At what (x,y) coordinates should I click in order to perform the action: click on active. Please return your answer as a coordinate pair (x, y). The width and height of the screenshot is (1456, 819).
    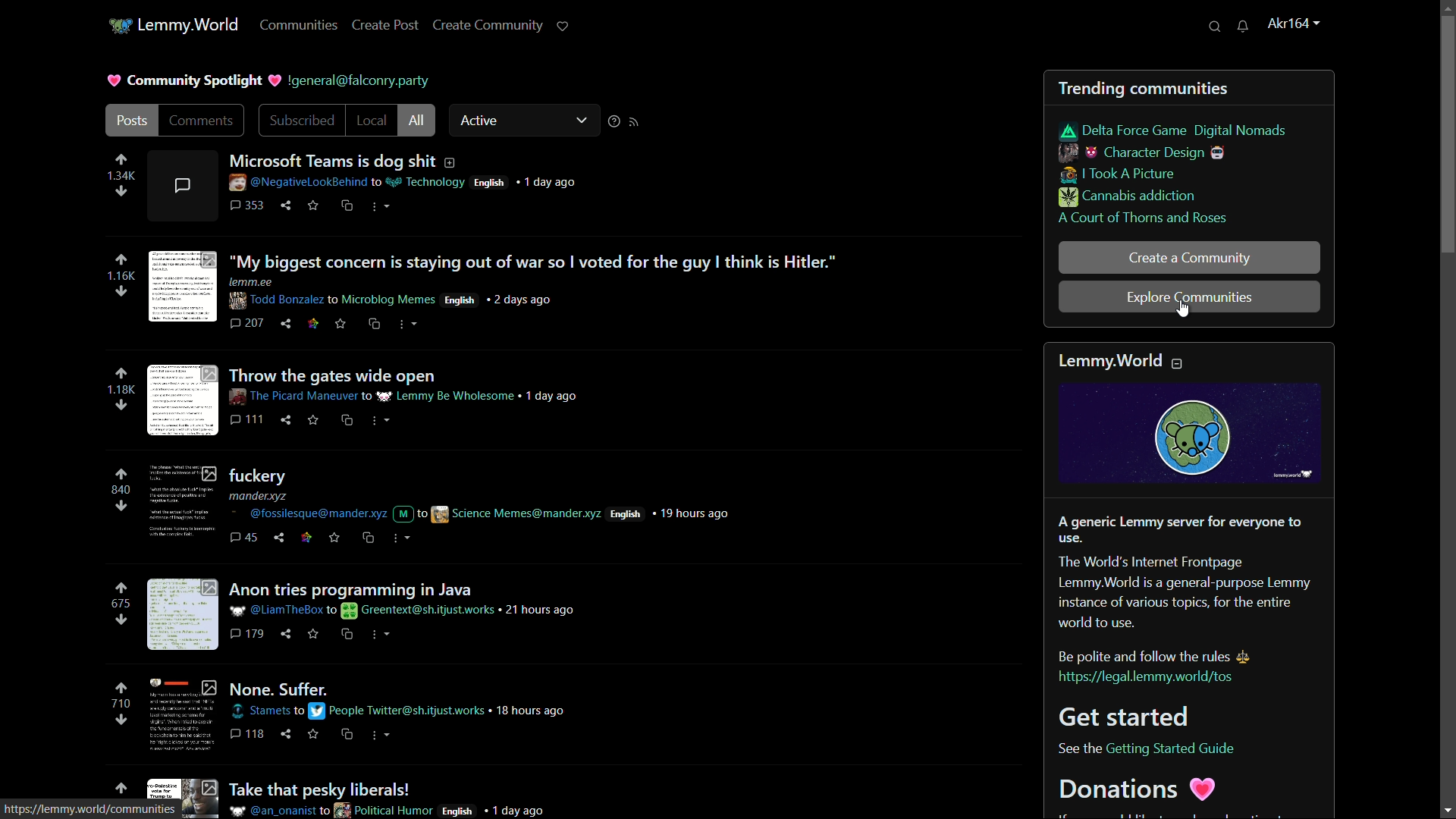
    Looking at the image, I should click on (495, 120).